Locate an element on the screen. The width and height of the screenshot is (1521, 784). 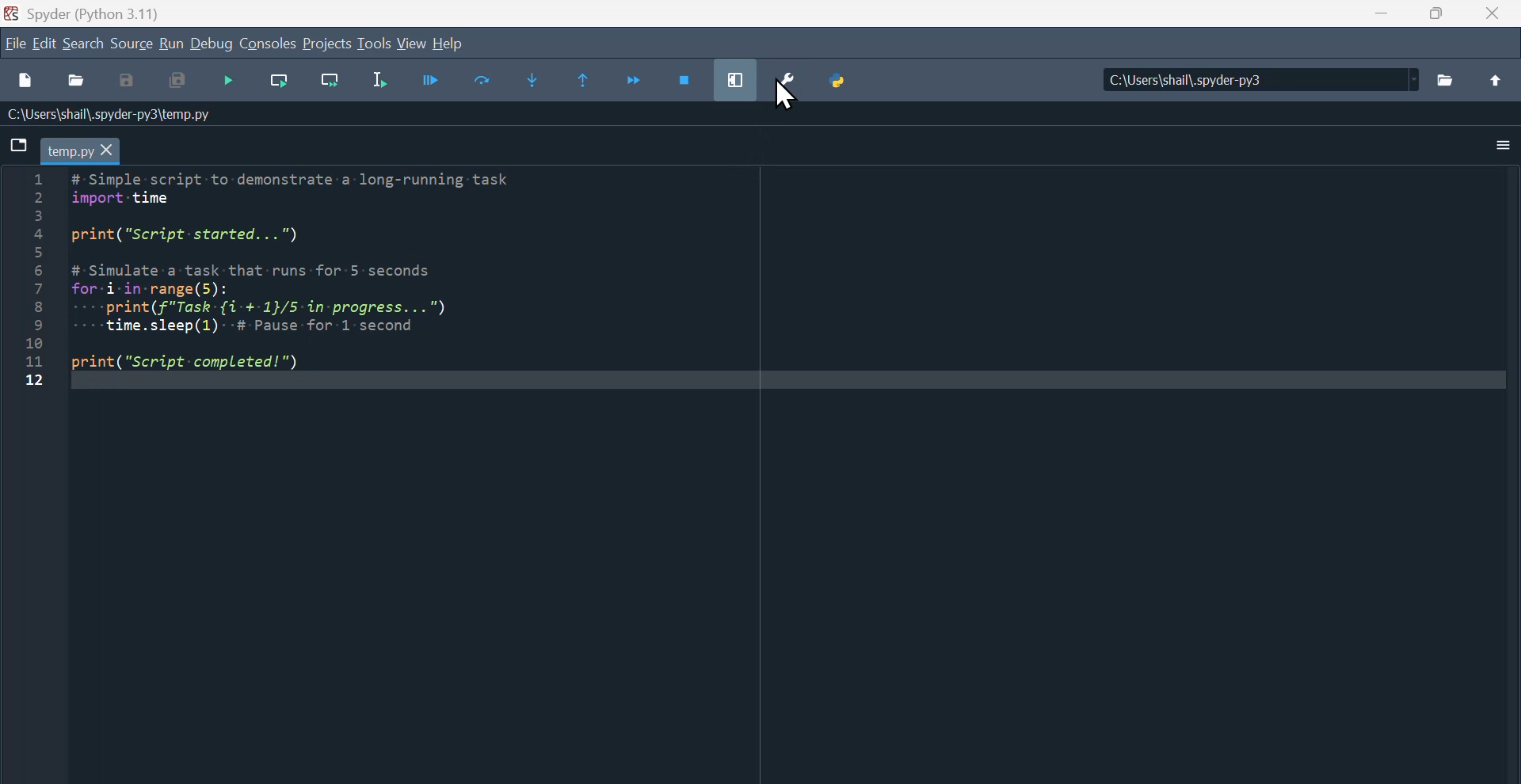
Run selection is located at coordinates (382, 86).